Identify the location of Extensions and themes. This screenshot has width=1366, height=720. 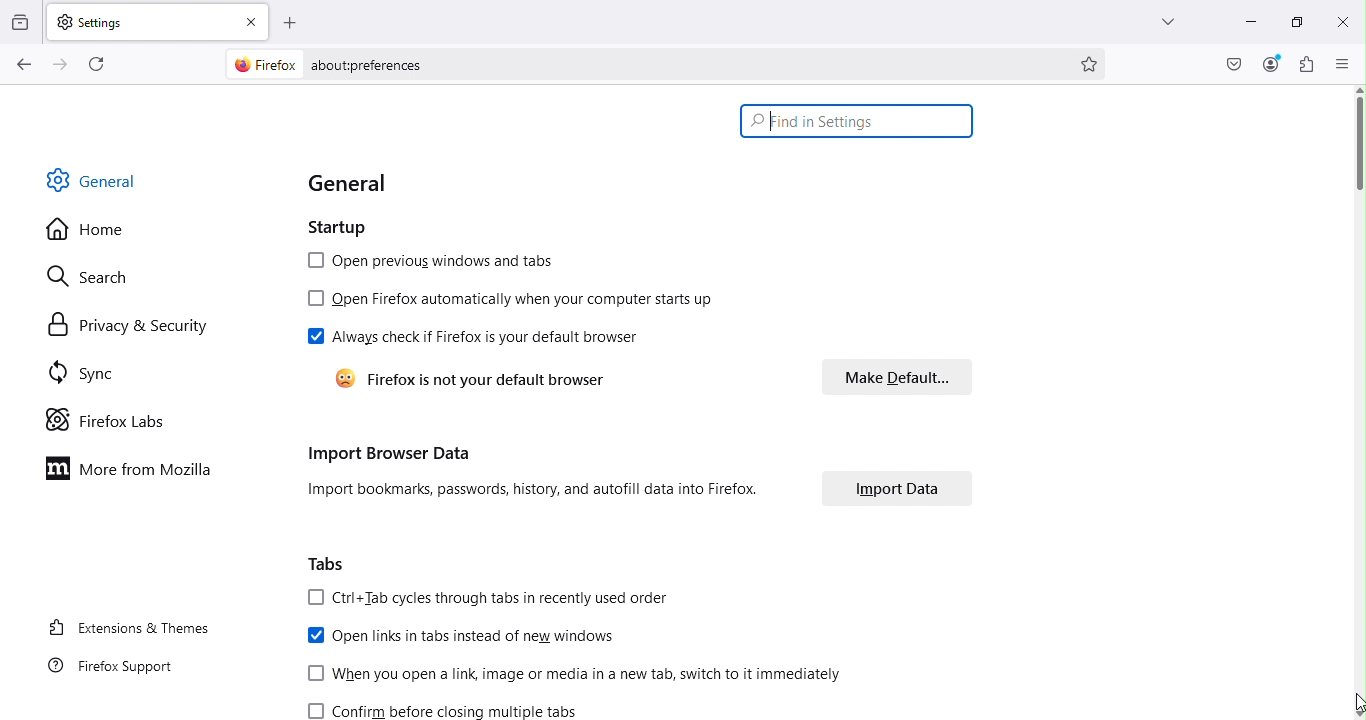
(127, 626).